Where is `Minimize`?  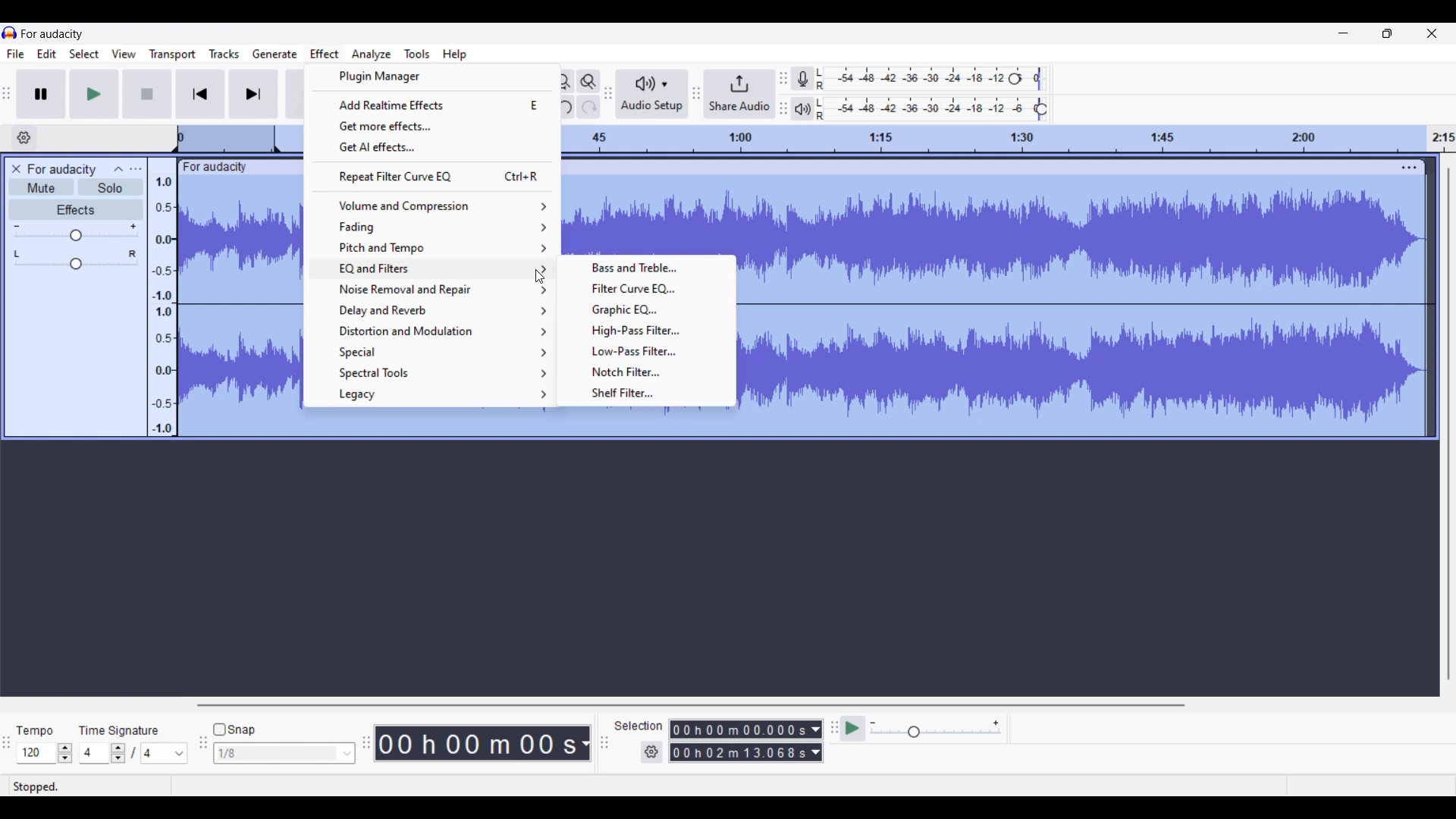 Minimize is located at coordinates (1342, 33).